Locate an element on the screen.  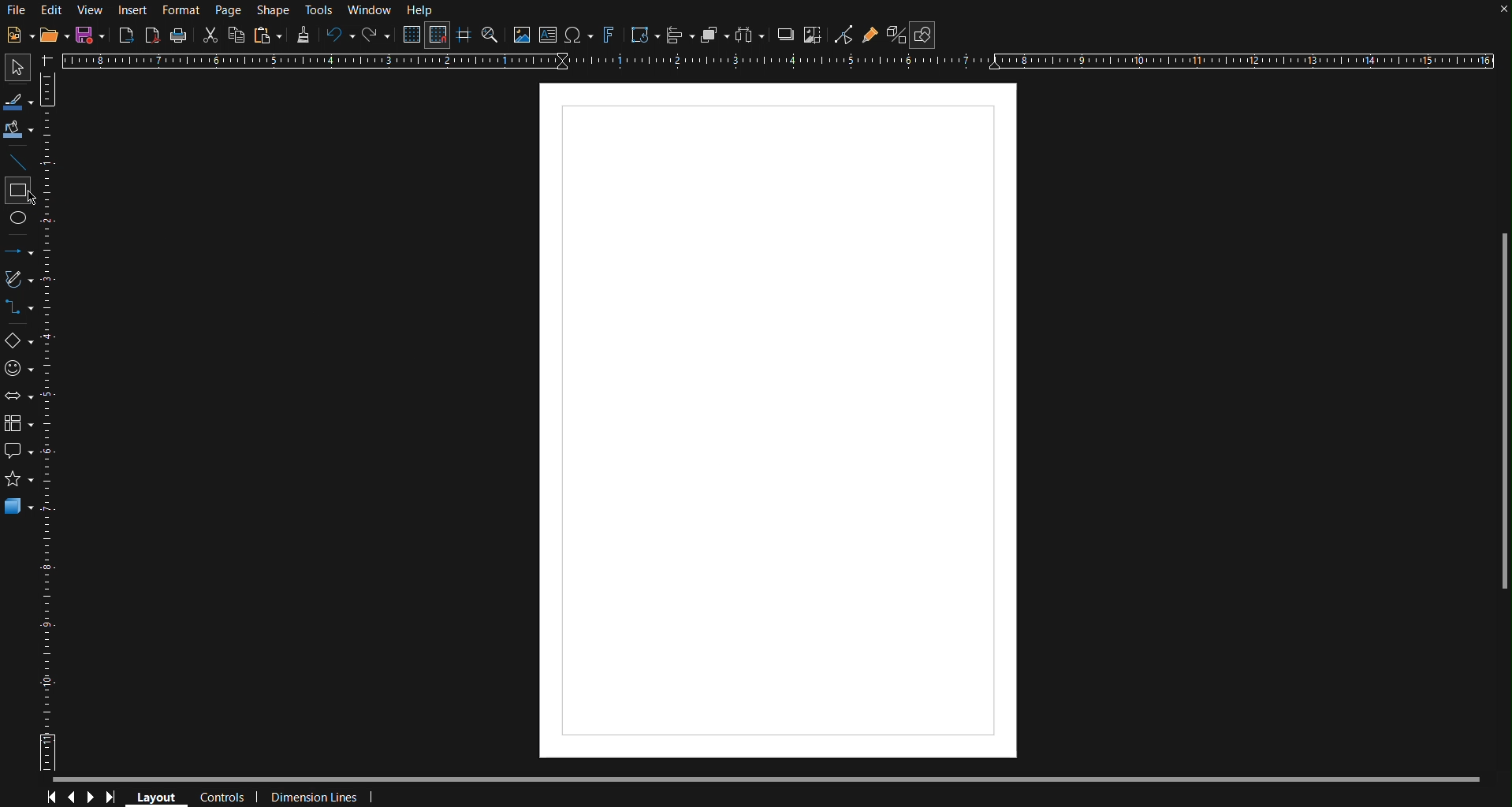
Connectors is located at coordinates (19, 308).